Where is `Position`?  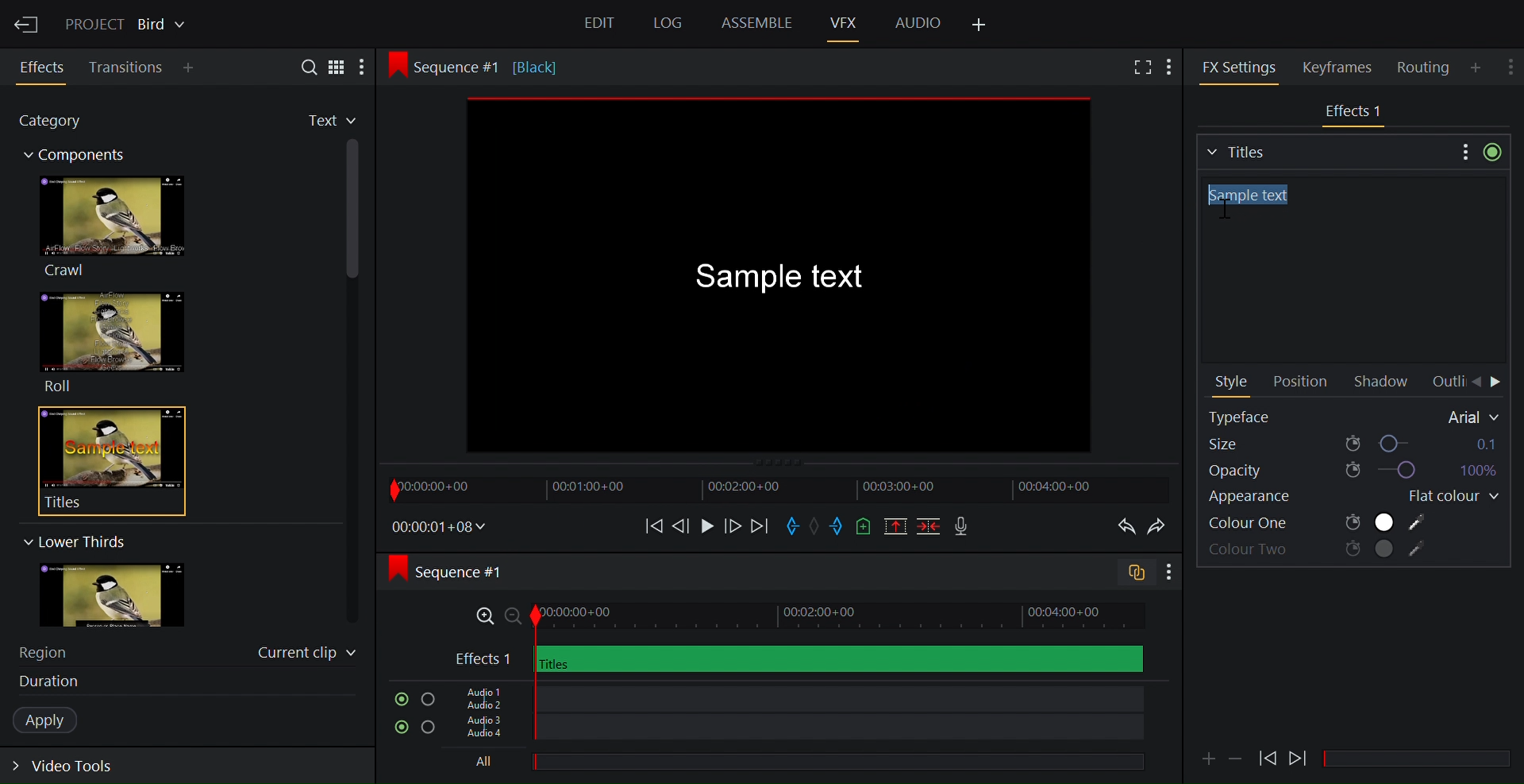 Position is located at coordinates (1299, 382).